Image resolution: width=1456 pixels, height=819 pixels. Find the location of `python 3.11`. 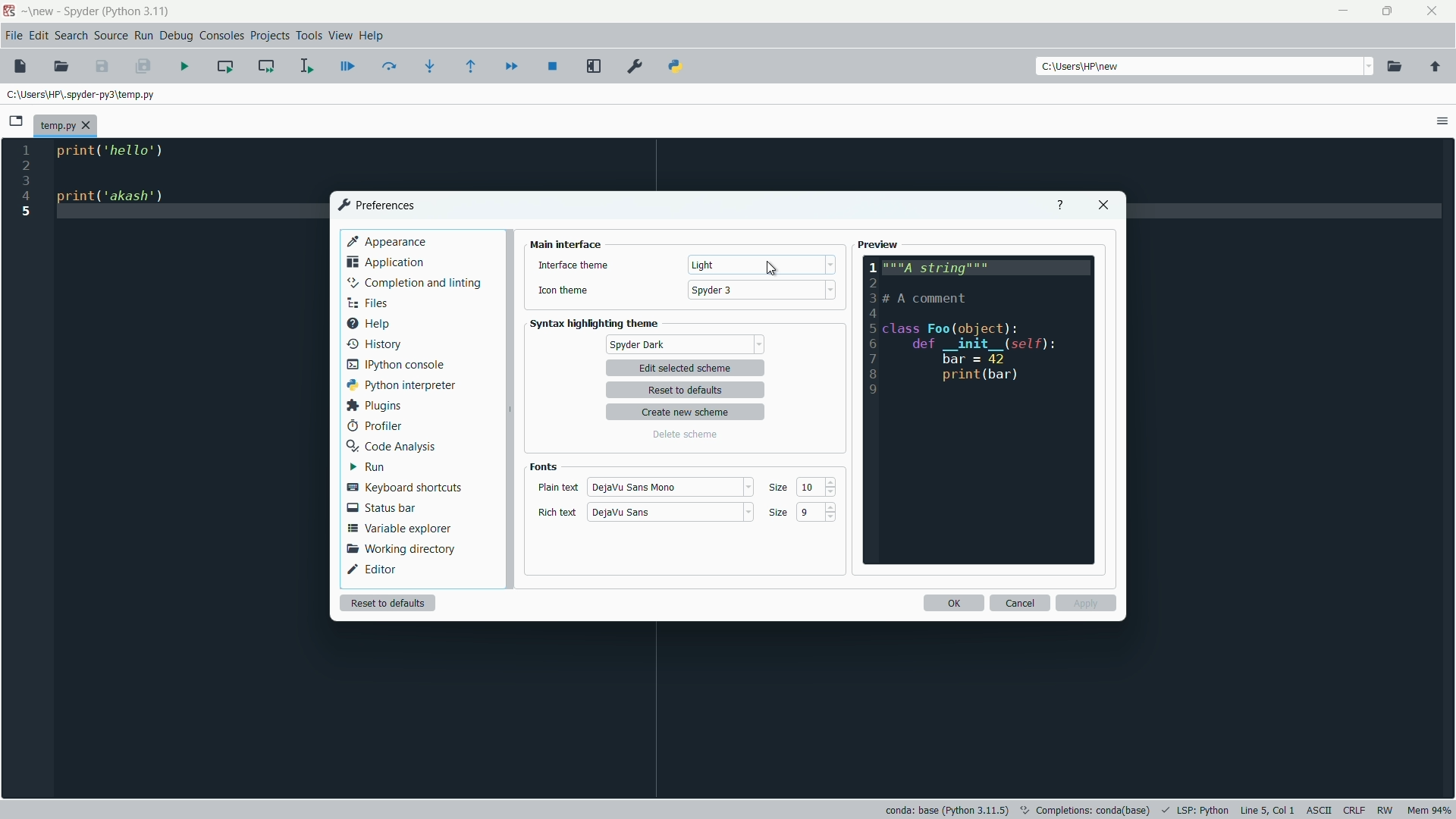

python 3.11 is located at coordinates (137, 11).